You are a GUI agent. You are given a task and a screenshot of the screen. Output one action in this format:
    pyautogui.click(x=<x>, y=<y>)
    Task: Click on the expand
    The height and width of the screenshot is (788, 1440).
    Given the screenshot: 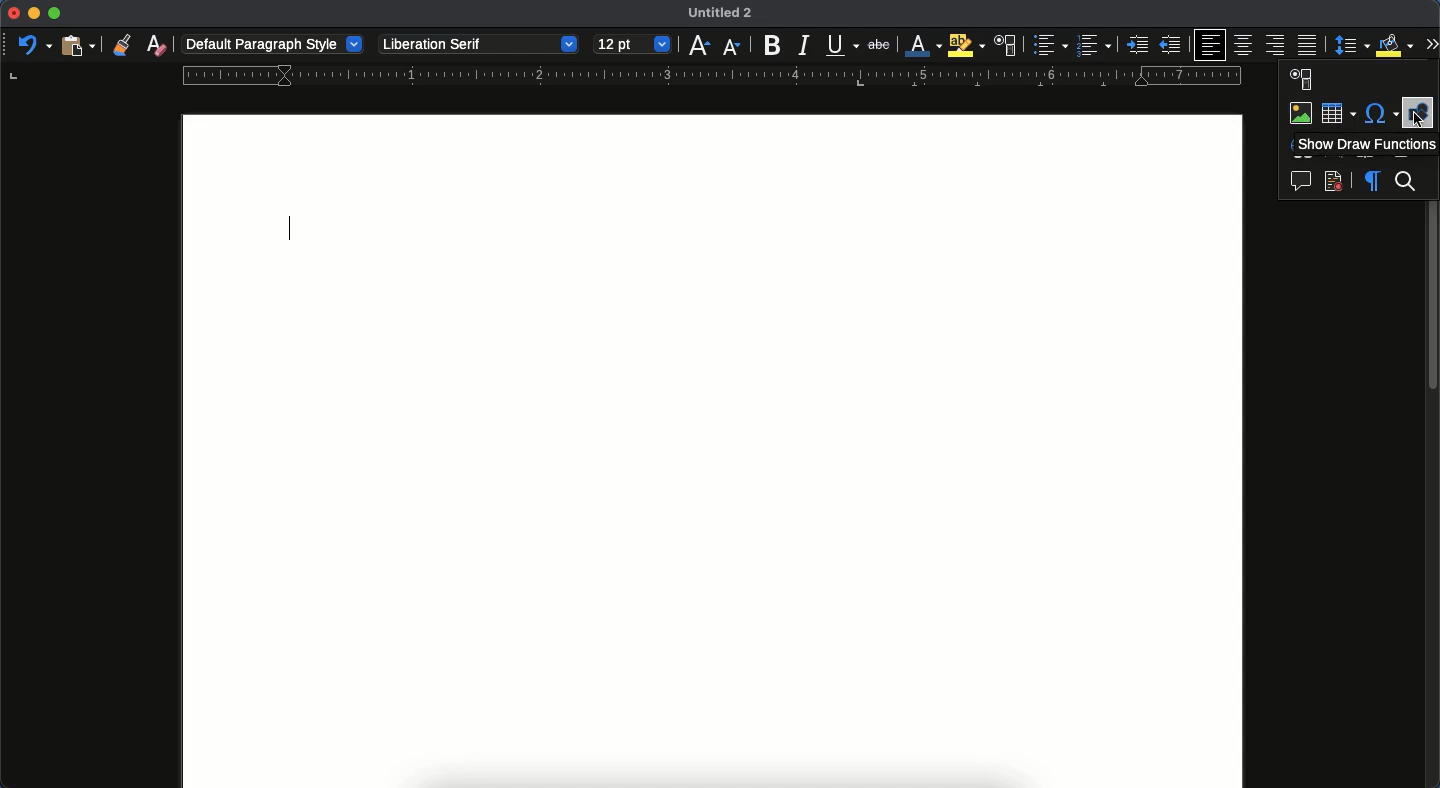 What is the action you would take?
    pyautogui.click(x=1429, y=42)
    